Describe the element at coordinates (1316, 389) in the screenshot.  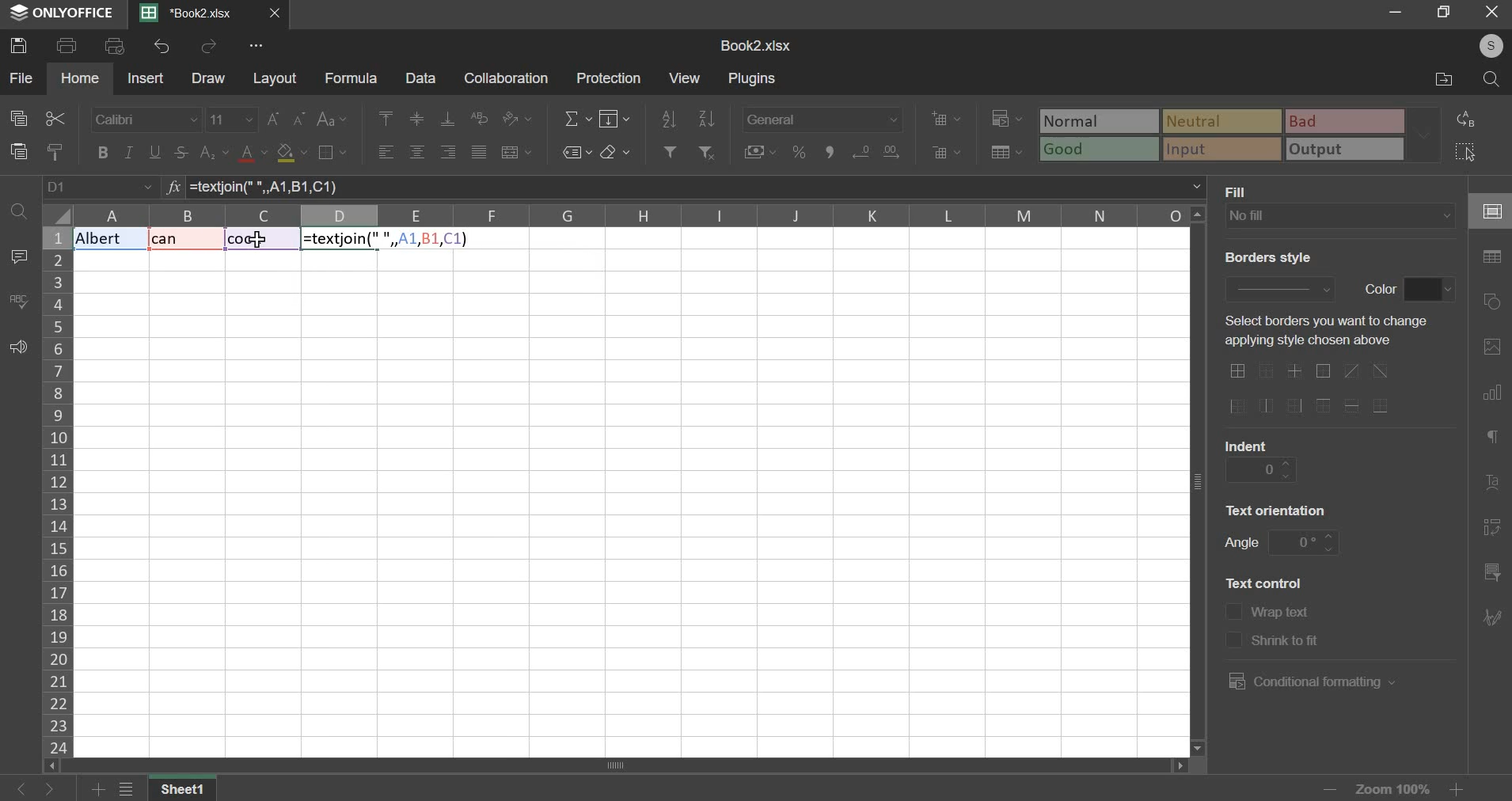
I see `border options` at that location.